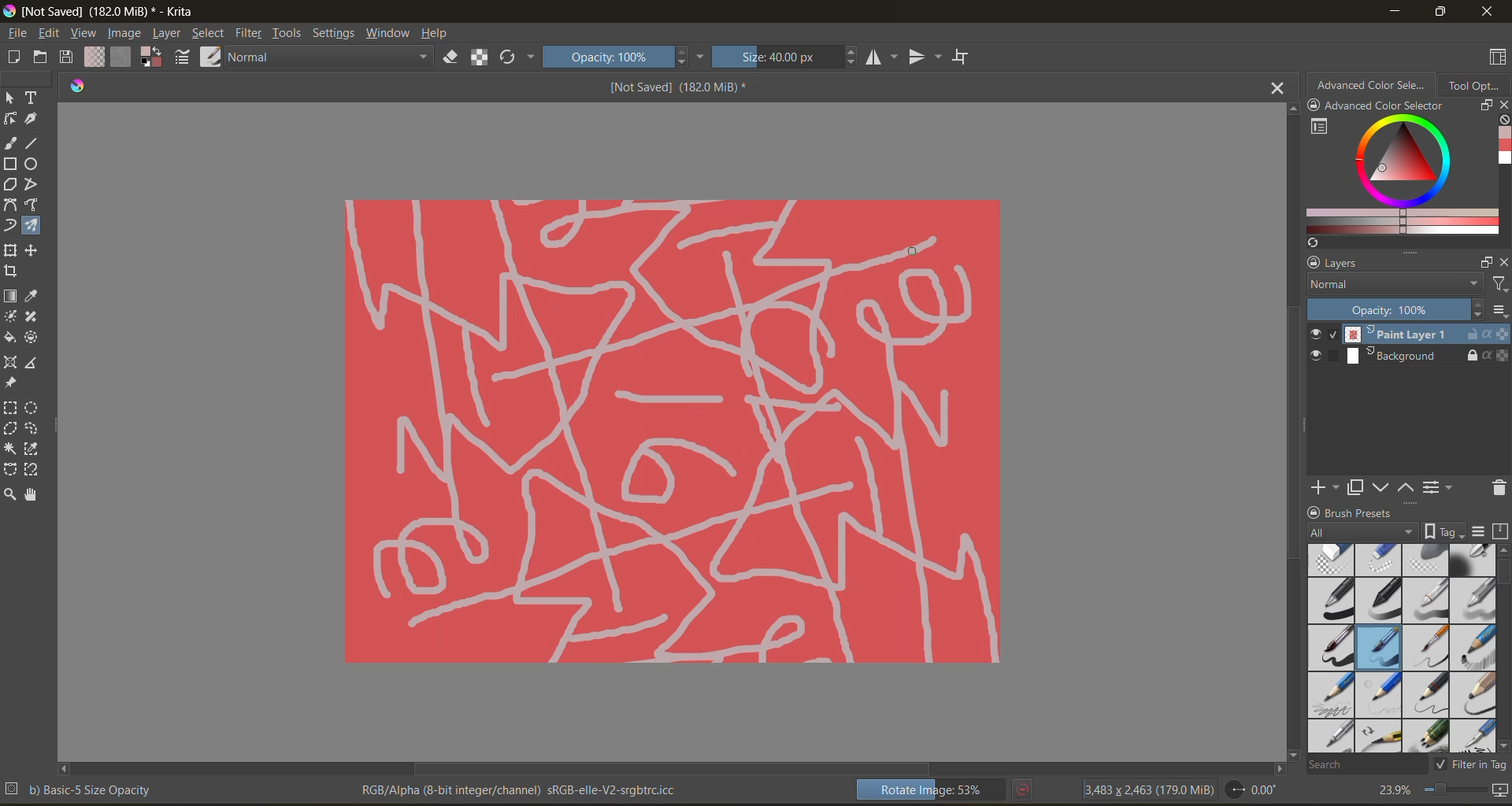  Describe the element at coordinates (1499, 312) in the screenshot. I see `options` at that location.